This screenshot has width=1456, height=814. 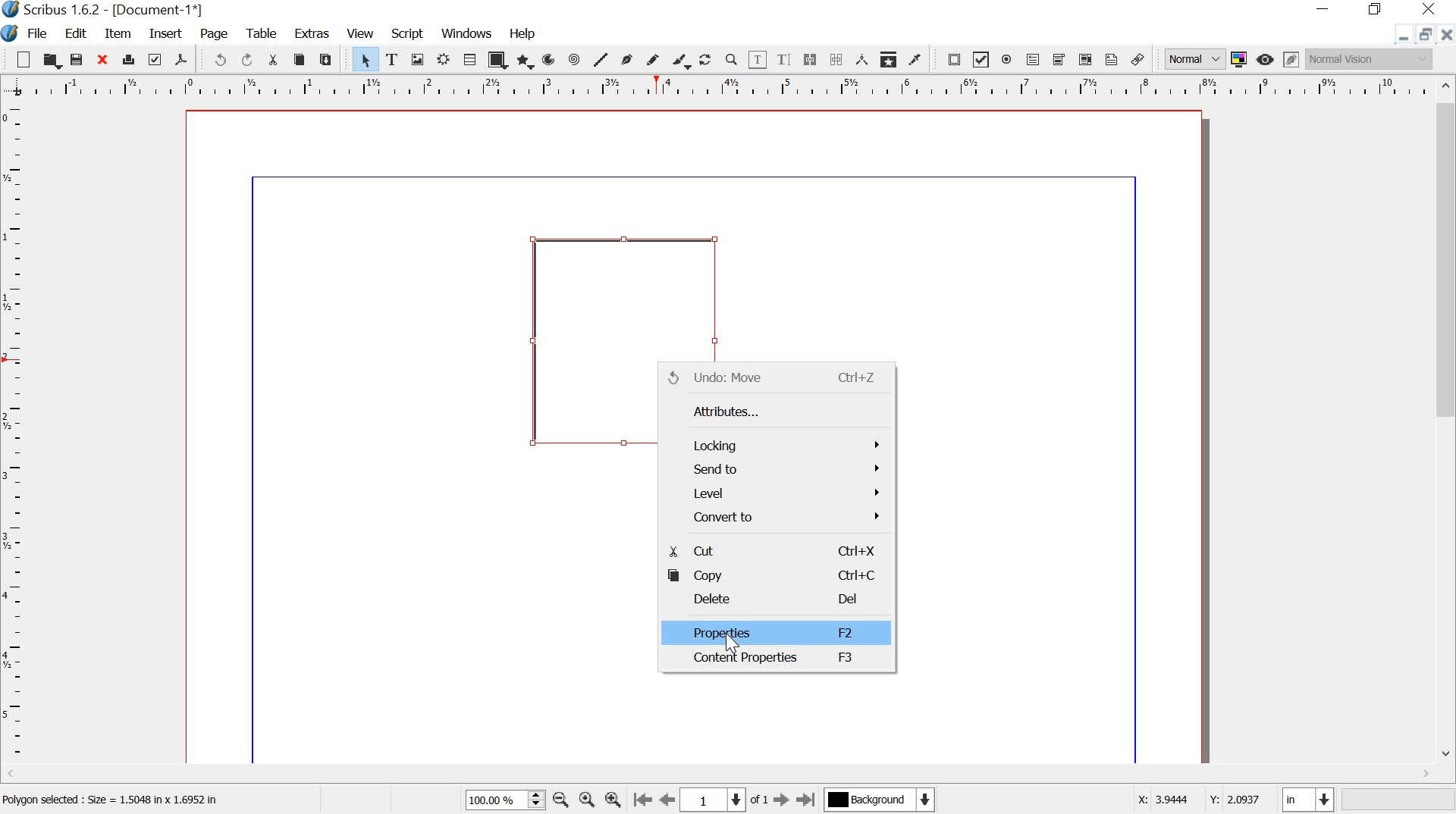 What do you see at coordinates (585, 340) in the screenshot?
I see `object` at bounding box center [585, 340].